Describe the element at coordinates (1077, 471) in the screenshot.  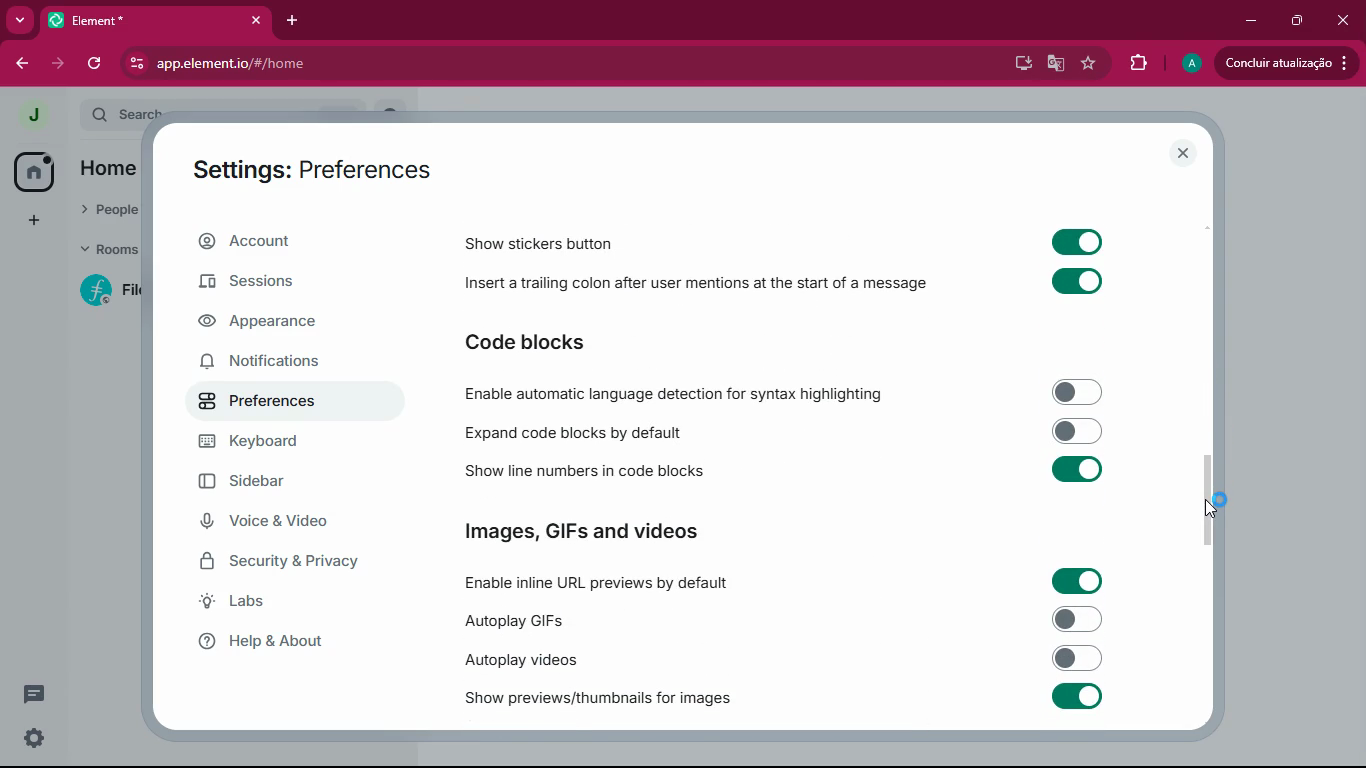
I see `Toggle on` at that location.